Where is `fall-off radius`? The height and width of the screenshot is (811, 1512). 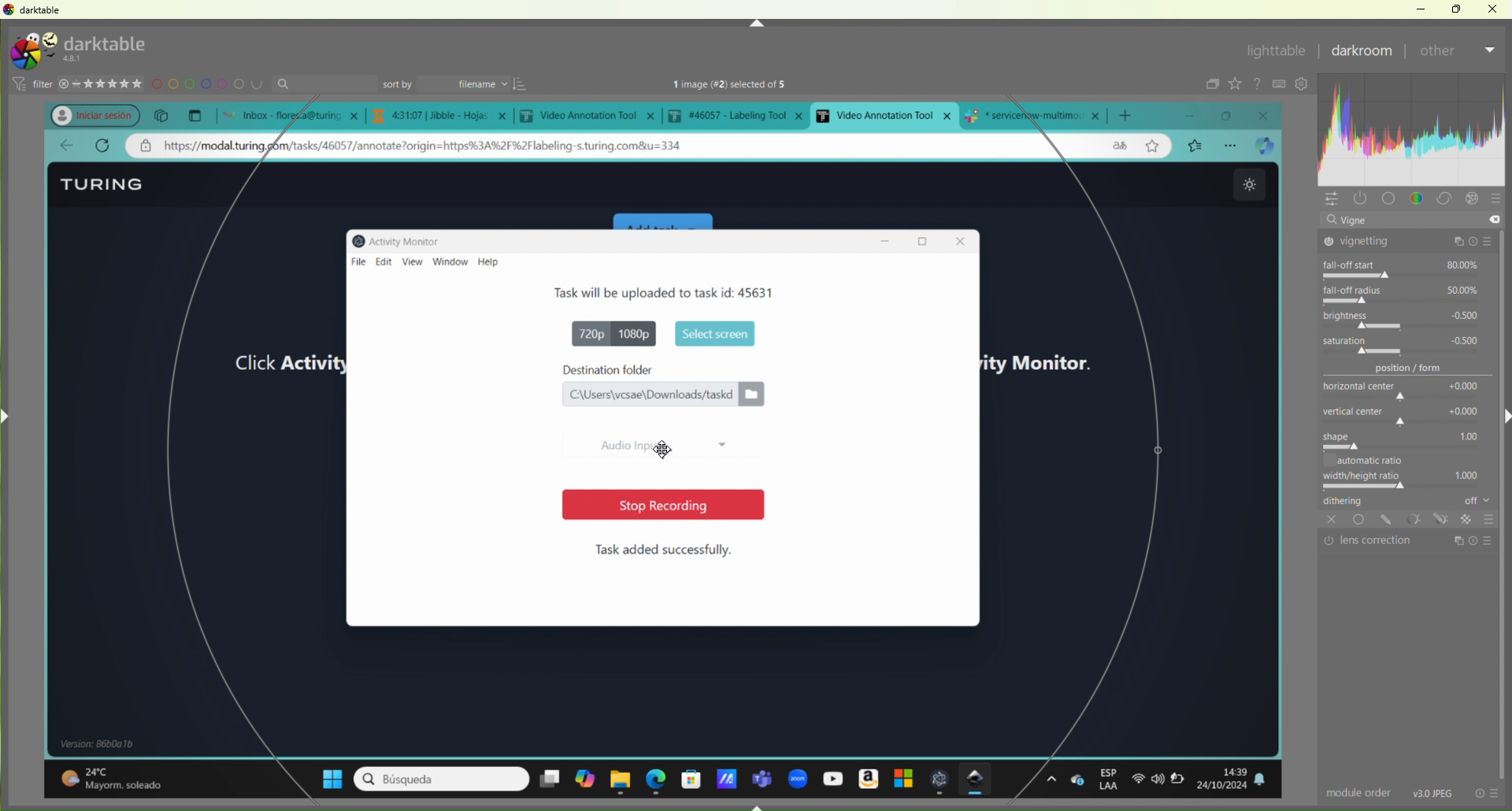
fall-off radius is located at coordinates (1405, 294).